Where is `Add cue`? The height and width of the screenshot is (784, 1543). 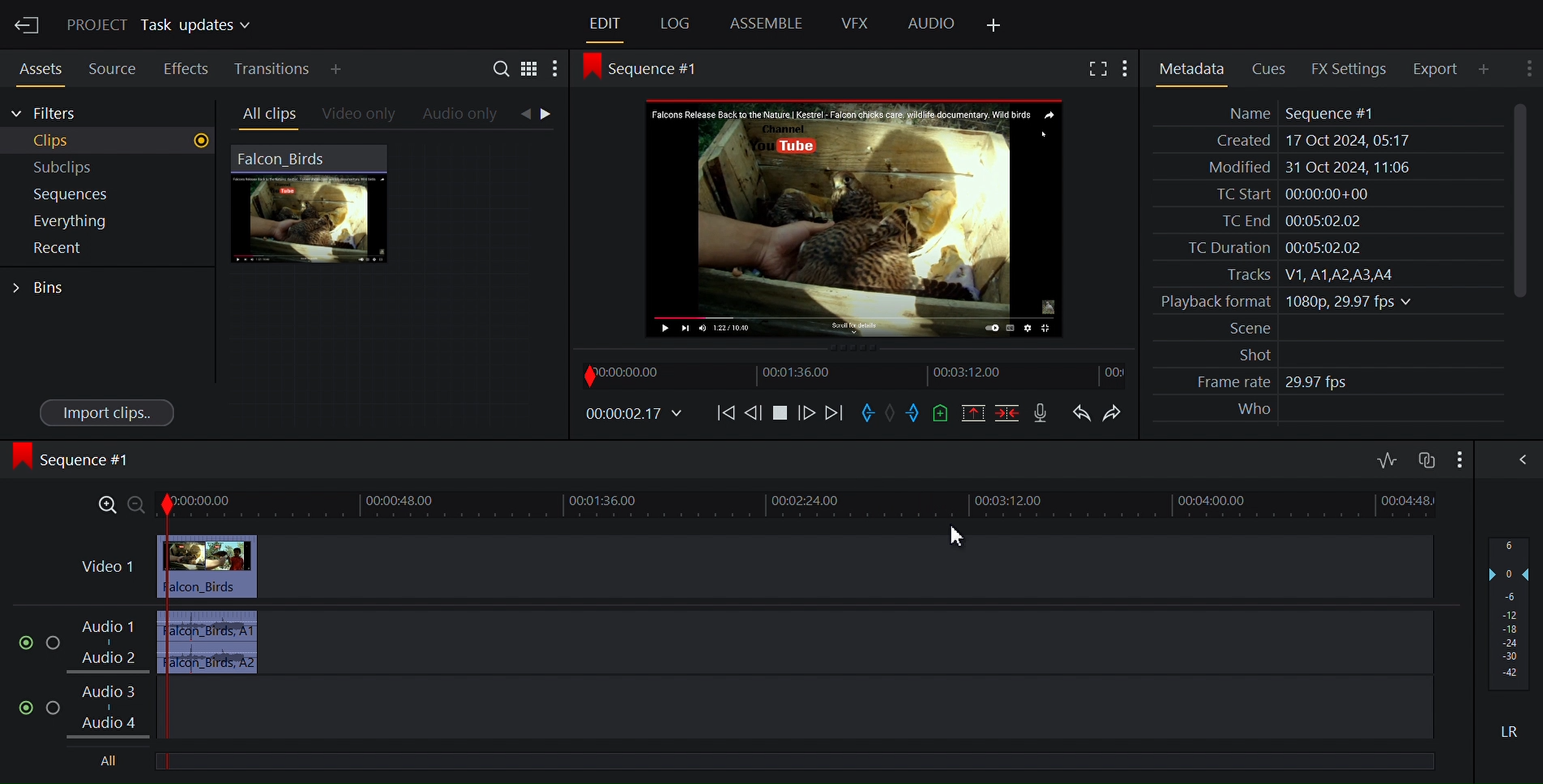 Add cue is located at coordinates (942, 413).